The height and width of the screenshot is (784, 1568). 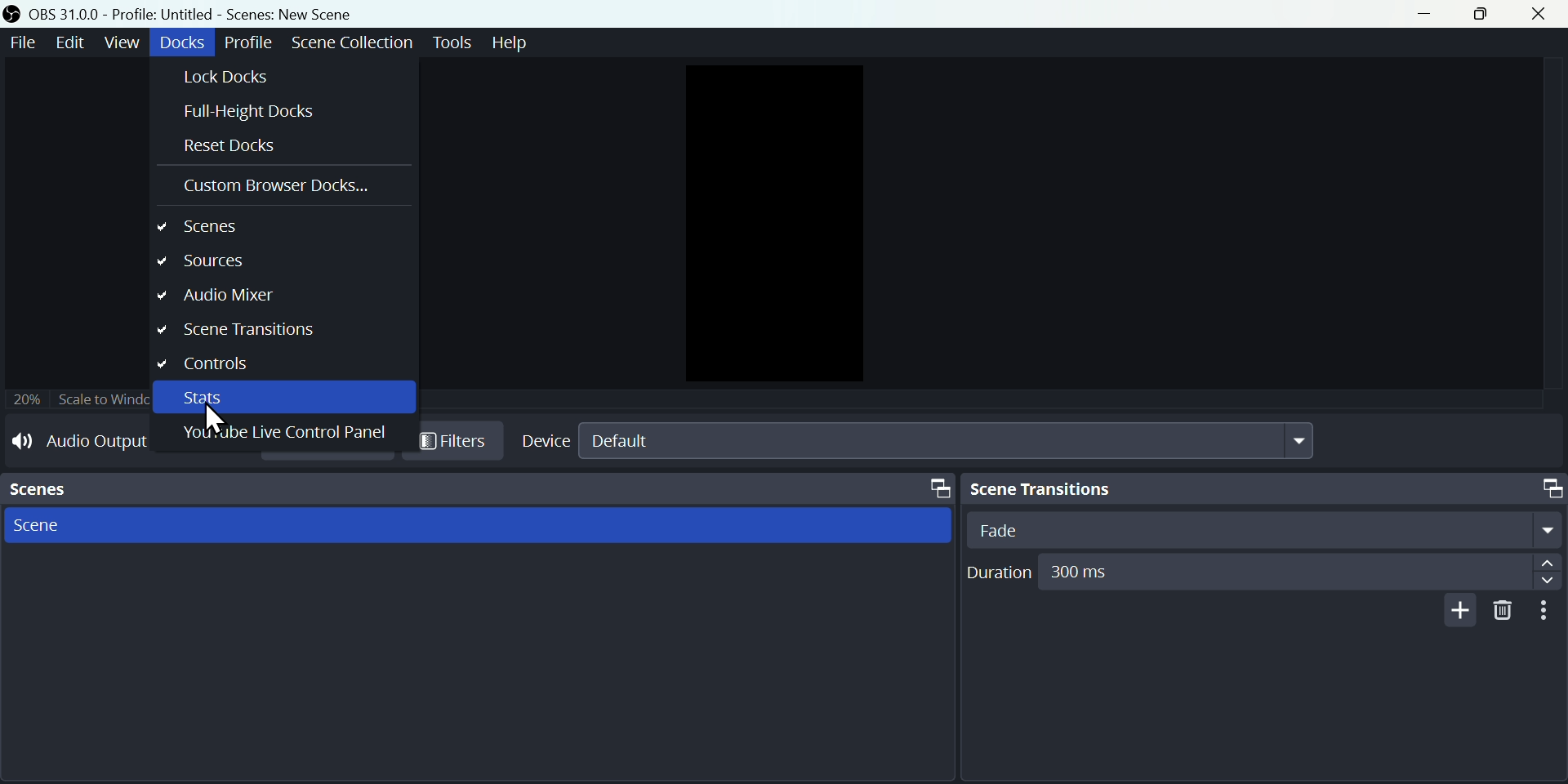 What do you see at coordinates (951, 438) in the screenshot?
I see `default` at bounding box center [951, 438].